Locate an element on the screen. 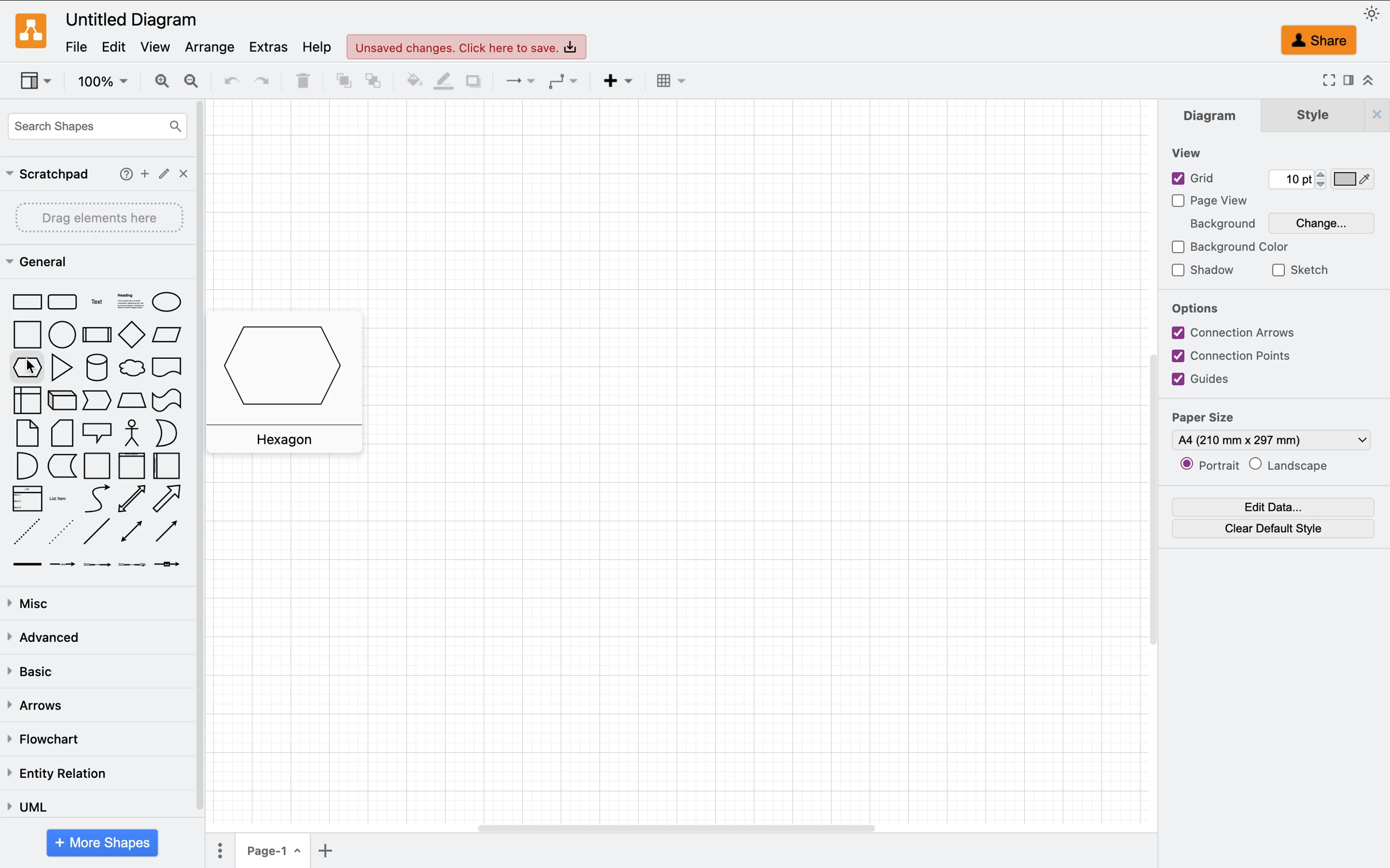 Image resolution: width=1390 pixels, height=868 pixels. add page is located at coordinates (334, 851).